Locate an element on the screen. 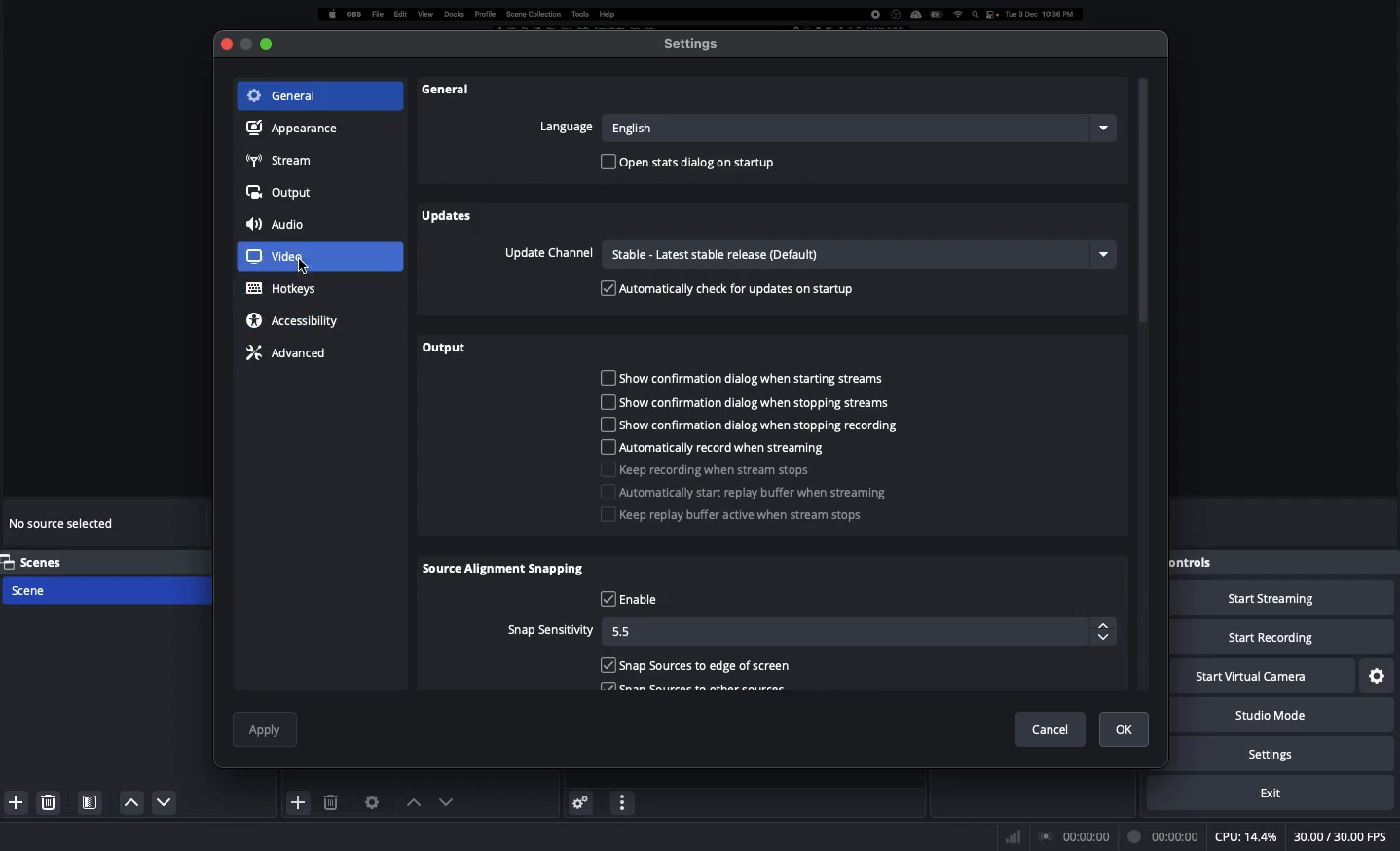  Automatically check for updates on startup is located at coordinates (731, 288).